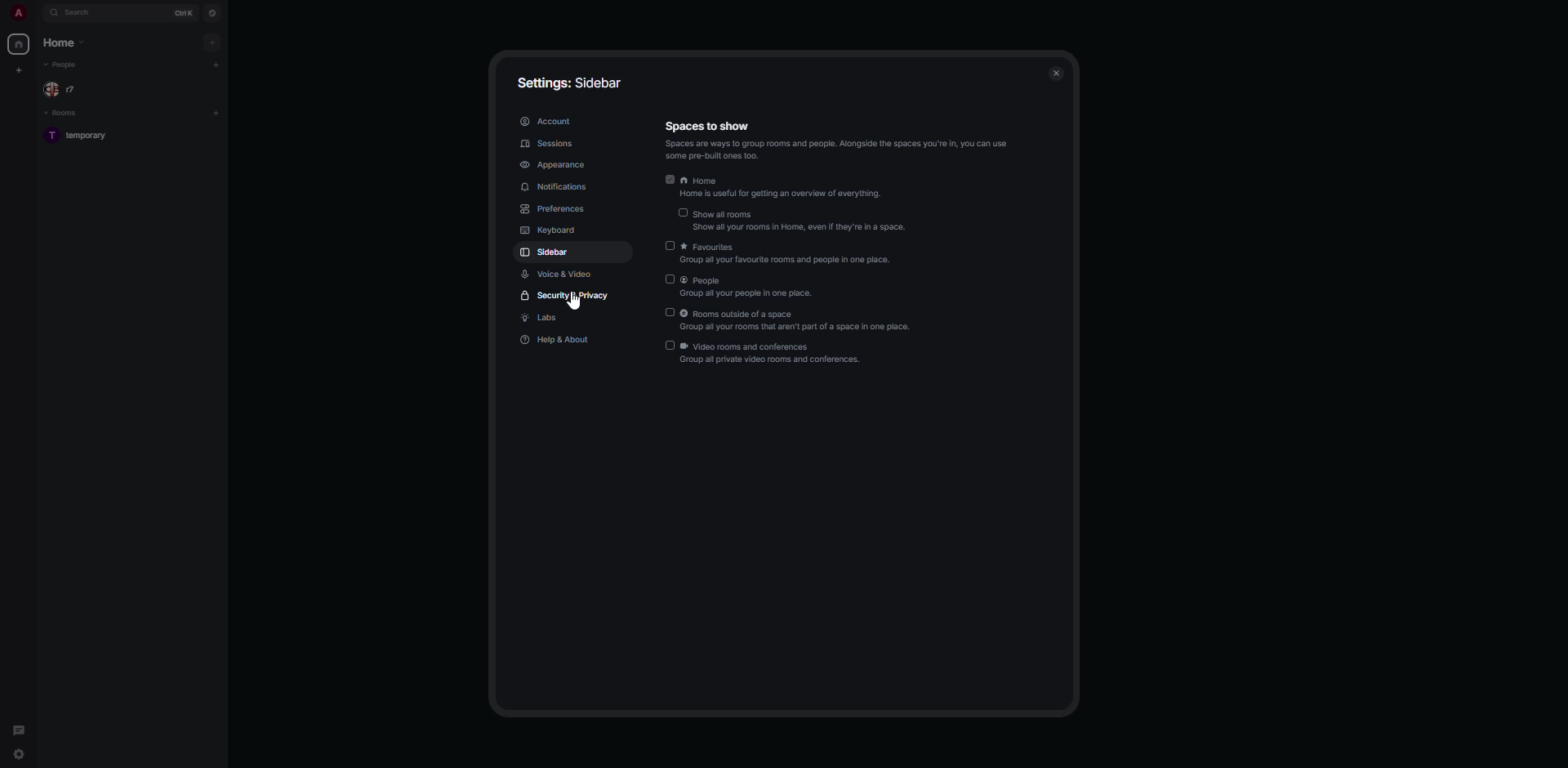 This screenshot has width=1568, height=768. Describe the element at coordinates (79, 13) in the screenshot. I see `search` at that location.